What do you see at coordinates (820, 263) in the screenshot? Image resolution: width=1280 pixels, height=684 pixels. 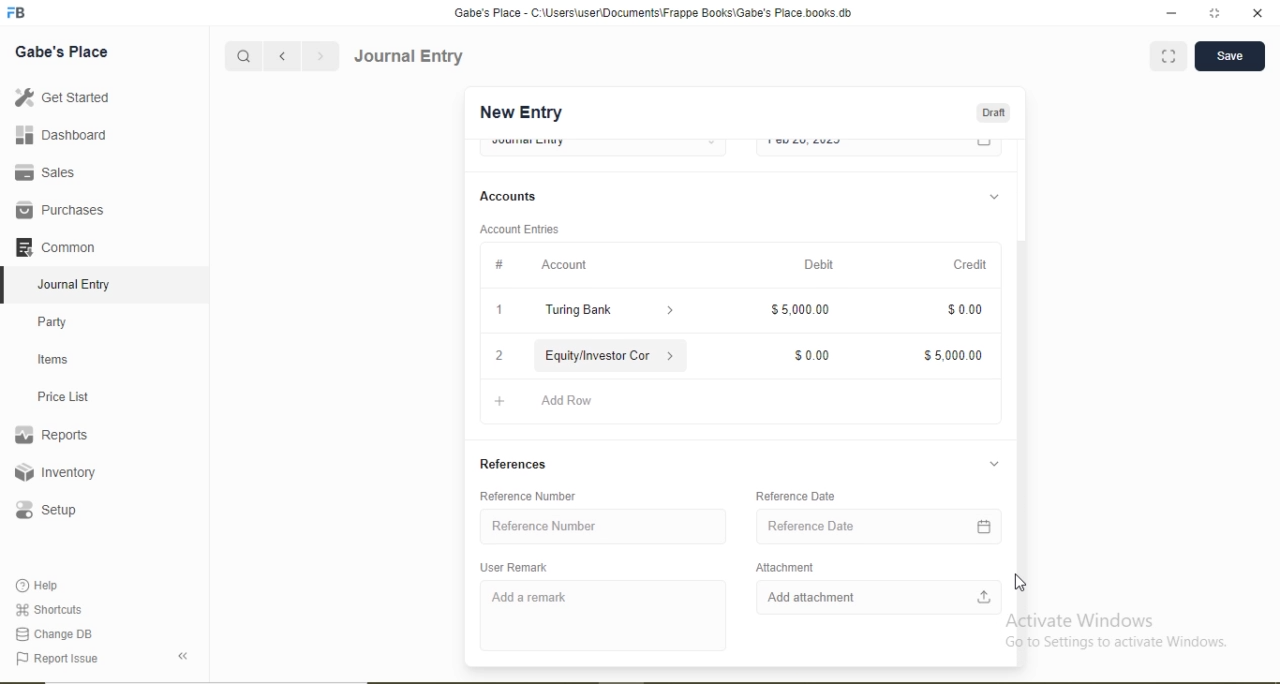 I see `Debit` at bounding box center [820, 263].